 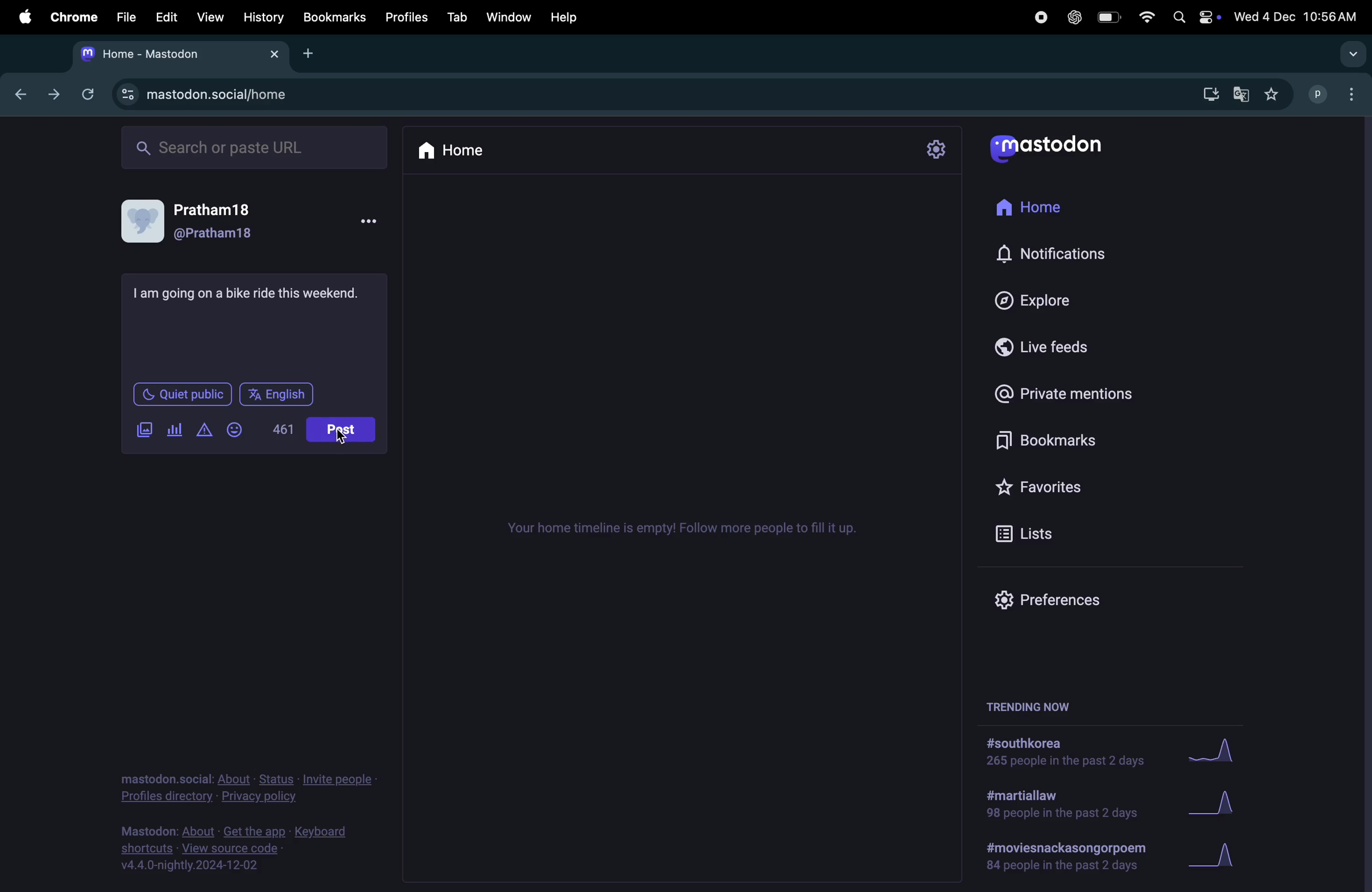 What do you see at coordinates (1143, 16) in the screenshot?
I see `wifi` at bounding box center [1143, 16].